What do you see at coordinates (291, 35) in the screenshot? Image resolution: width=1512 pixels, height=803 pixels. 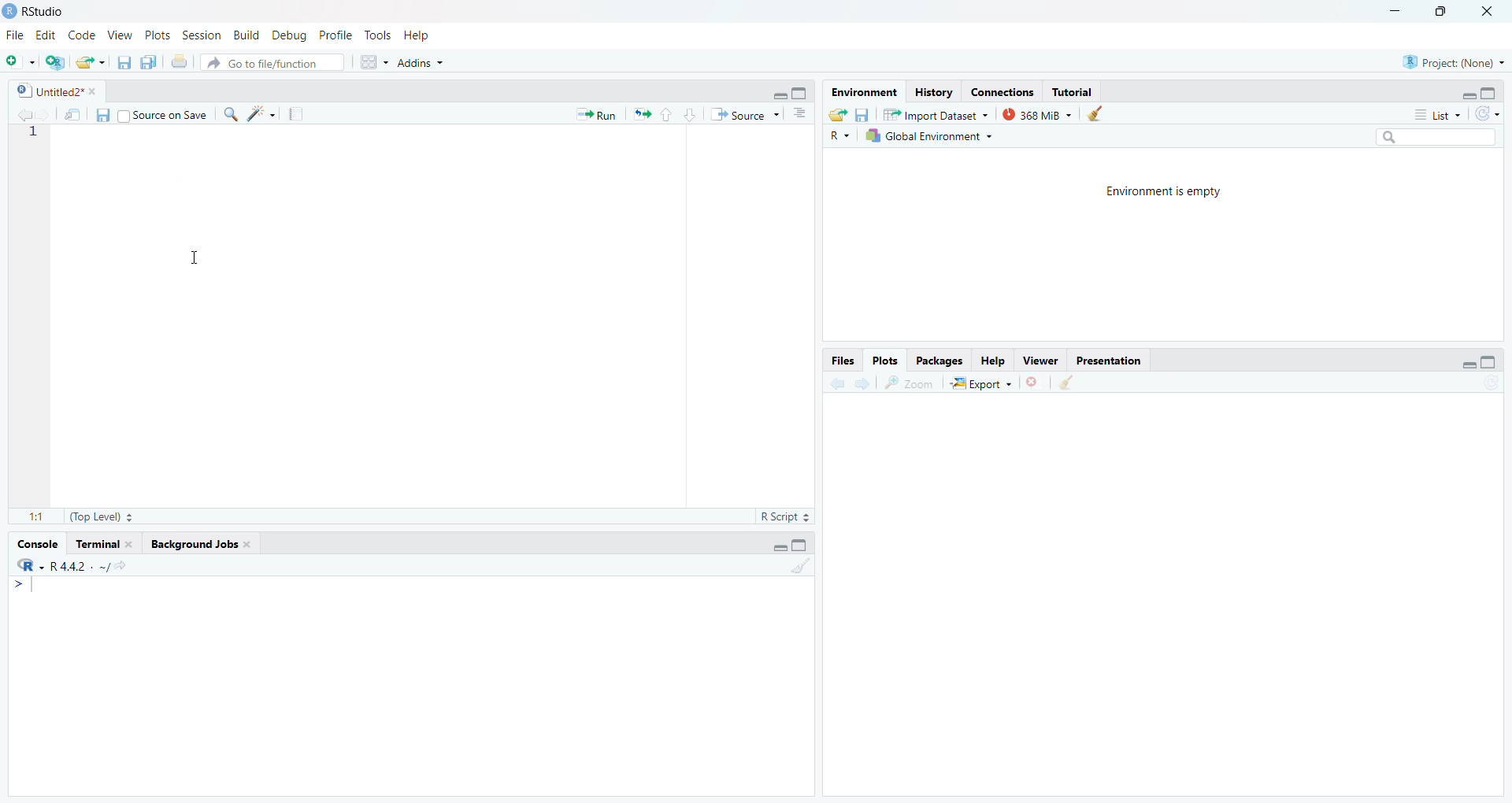 I see `Debug` at bounding box center [291, 35].